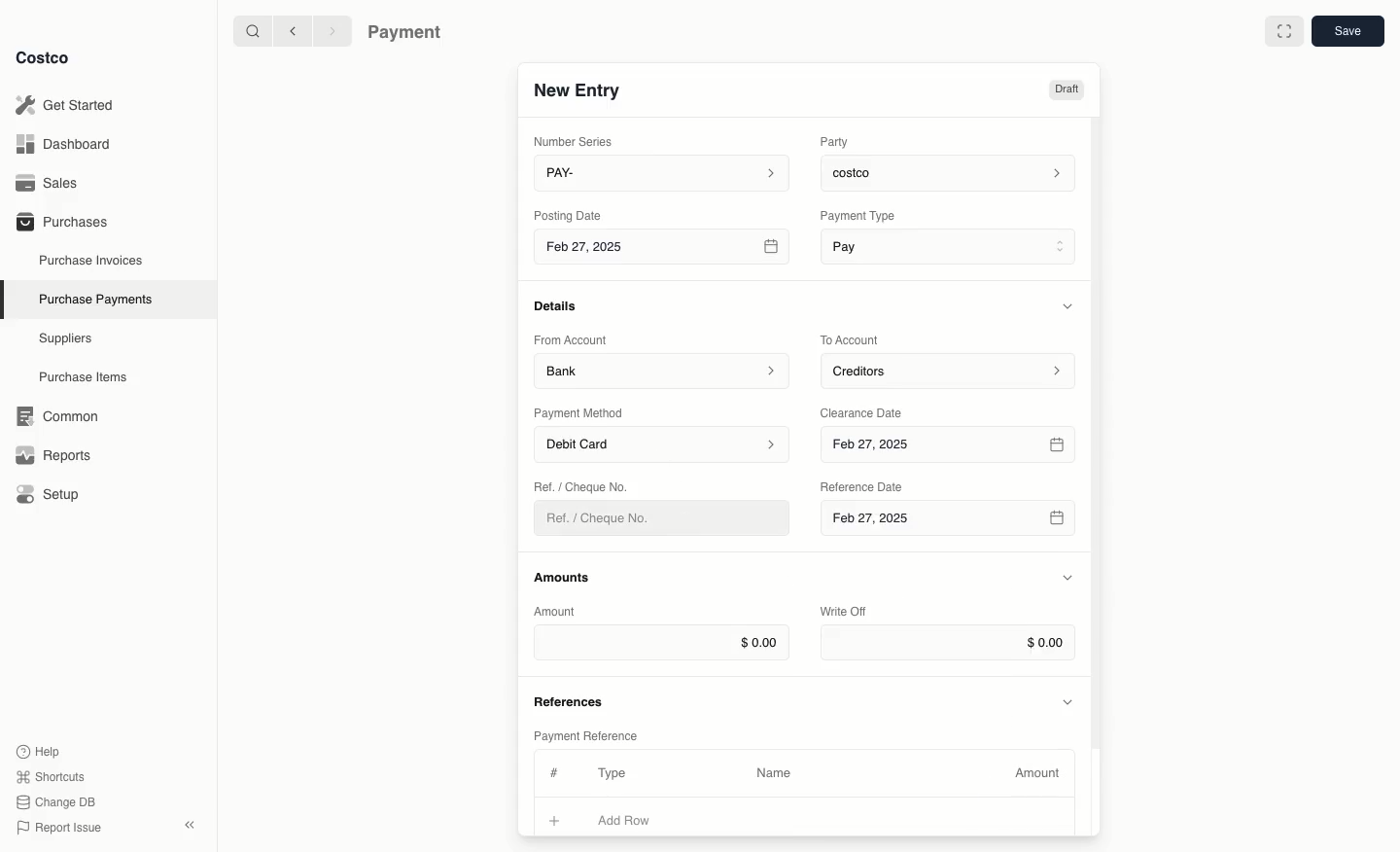 The width and height of the screenshot is (1400, 852). Describe the element at coordinates (61, 413) in the screenshot. I see `‘Common` at that location.